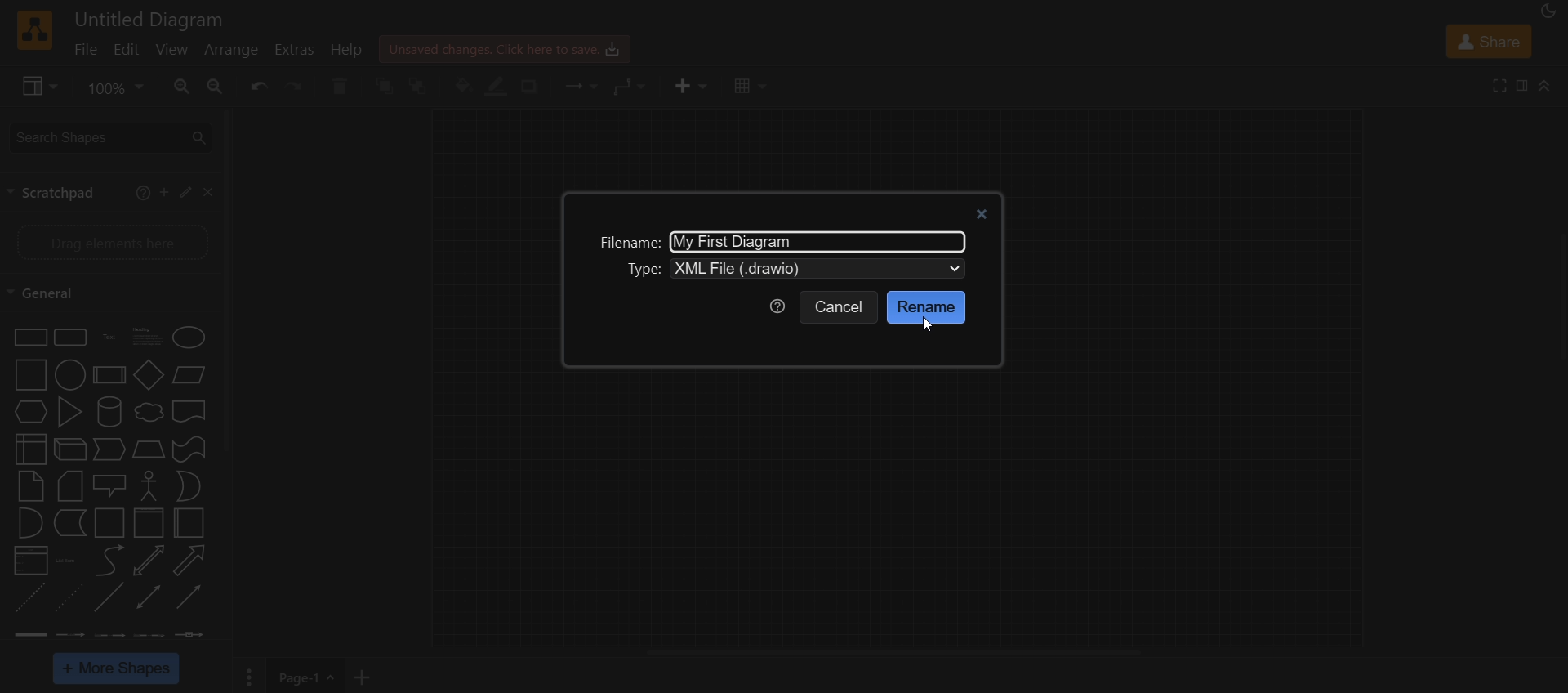  Describe the element at coordinates (296, 49) in the screenshot. I see `extras` at that location.